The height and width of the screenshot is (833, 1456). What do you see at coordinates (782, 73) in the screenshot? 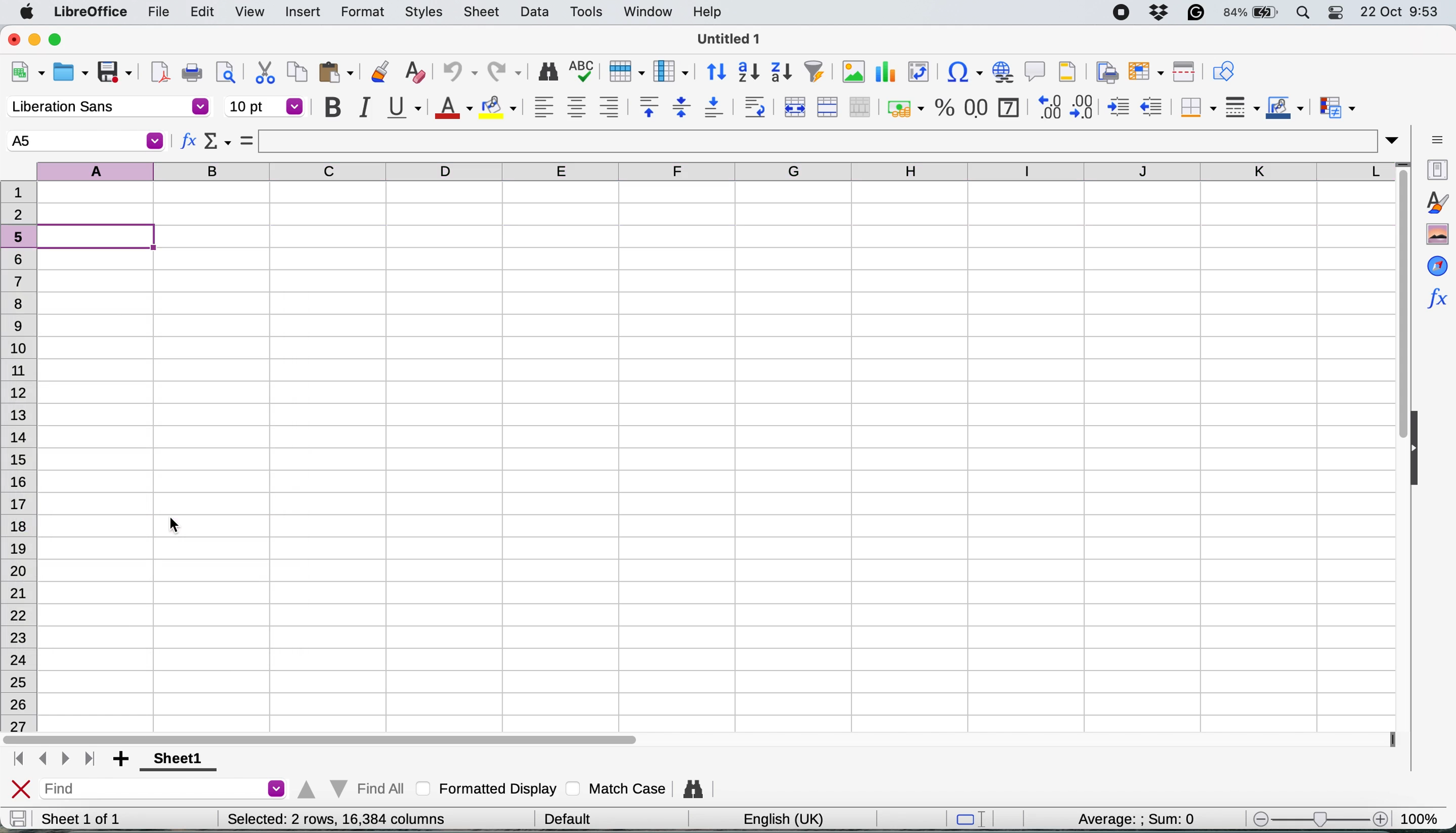
I see `sort descending` at bounding box center [782, 73].